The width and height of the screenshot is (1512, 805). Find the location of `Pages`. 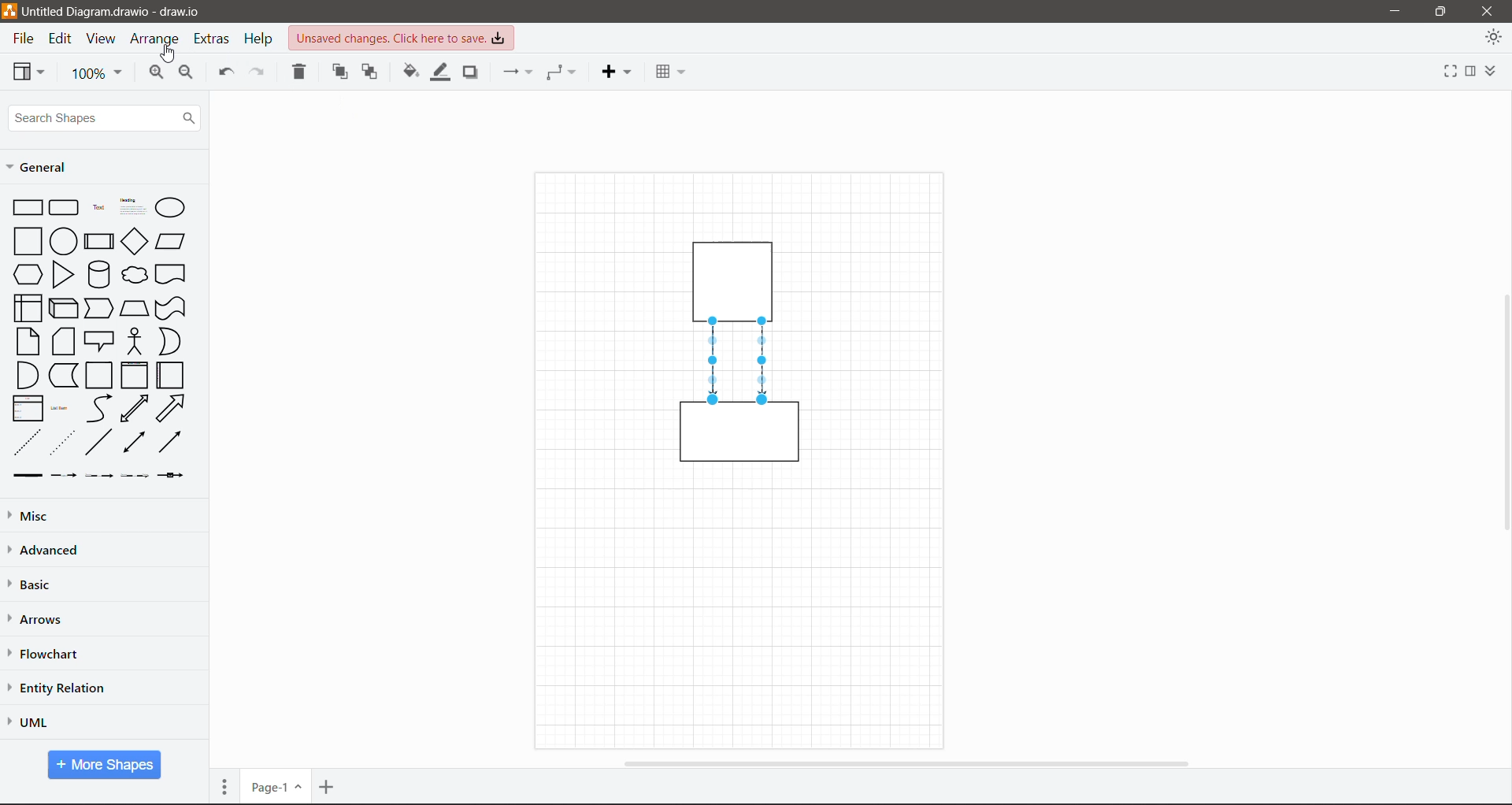

Pages is located at coordinates (224, 786).